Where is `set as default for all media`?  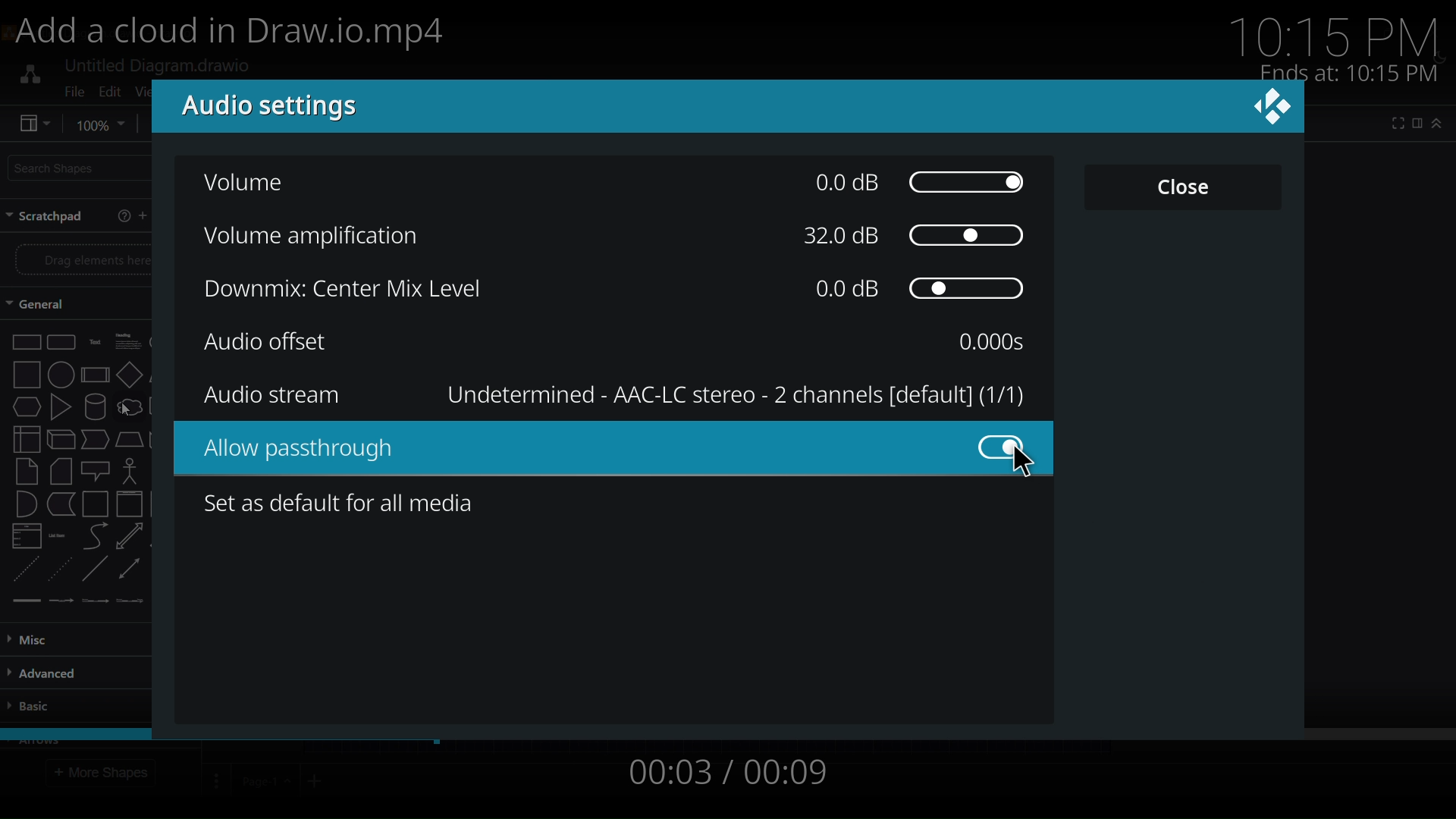
set as default for all media is located at coordinates (341, 503).